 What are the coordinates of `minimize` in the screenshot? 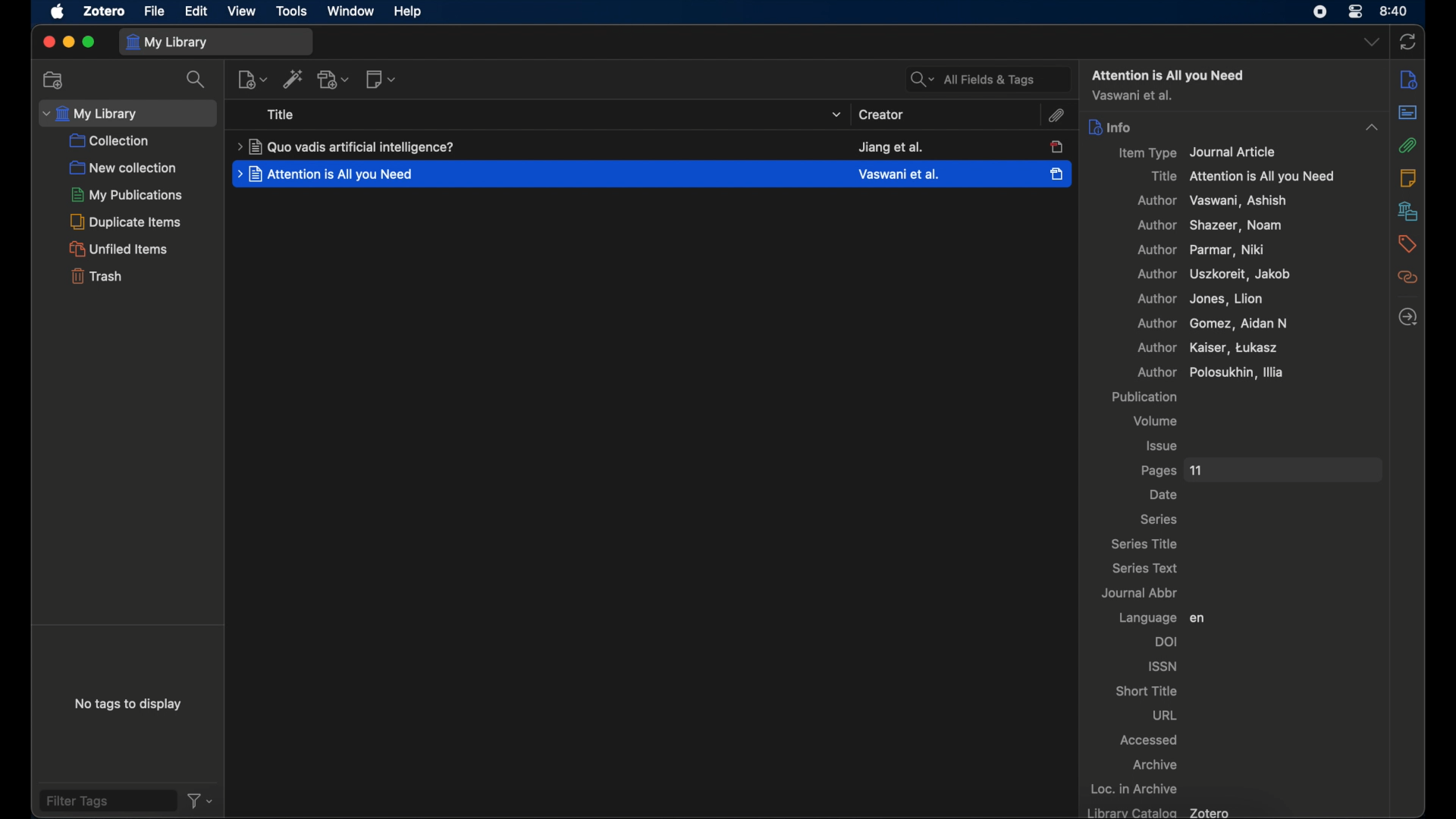 It's located at (68, 41).